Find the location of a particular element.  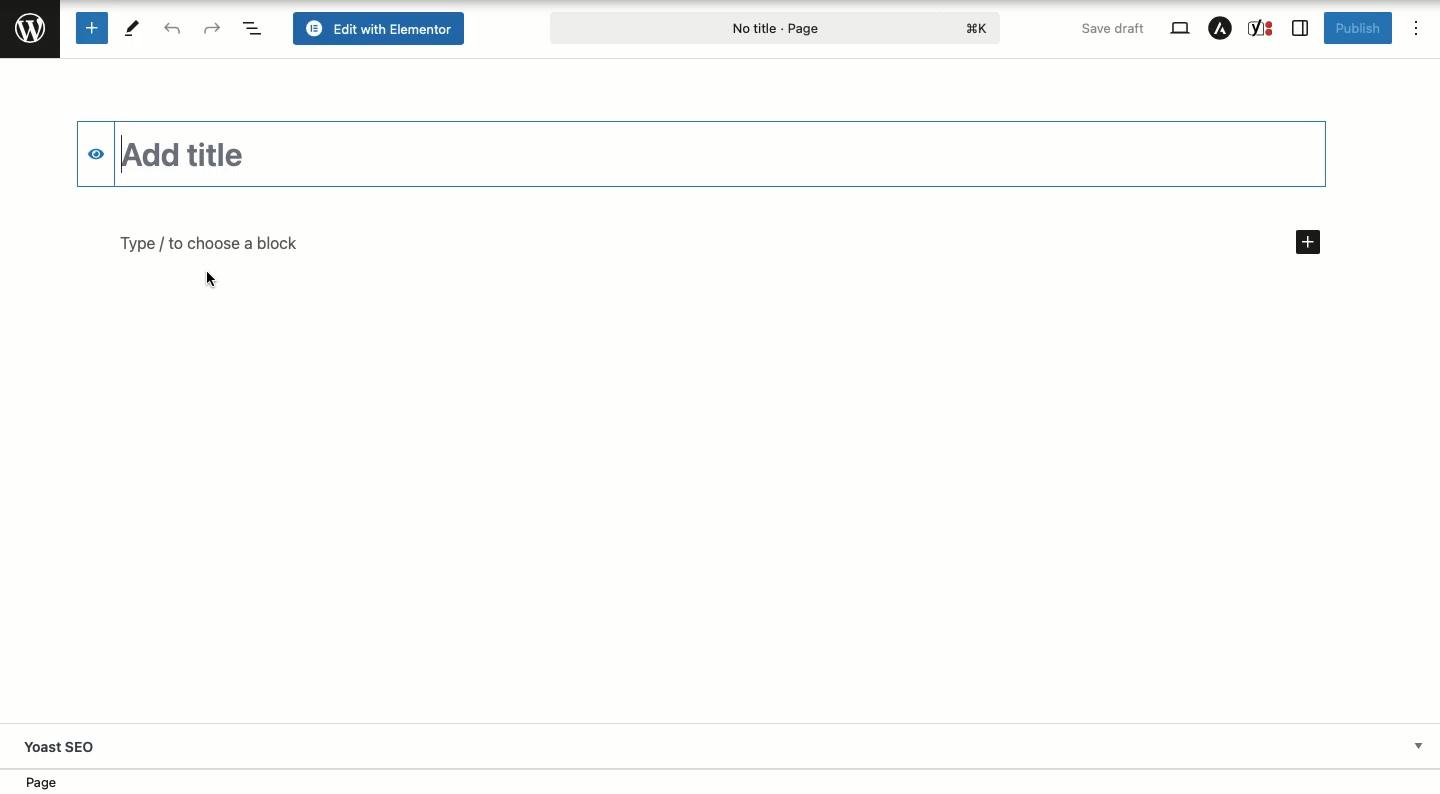

Page - no title is located at coordinates (777, 26).